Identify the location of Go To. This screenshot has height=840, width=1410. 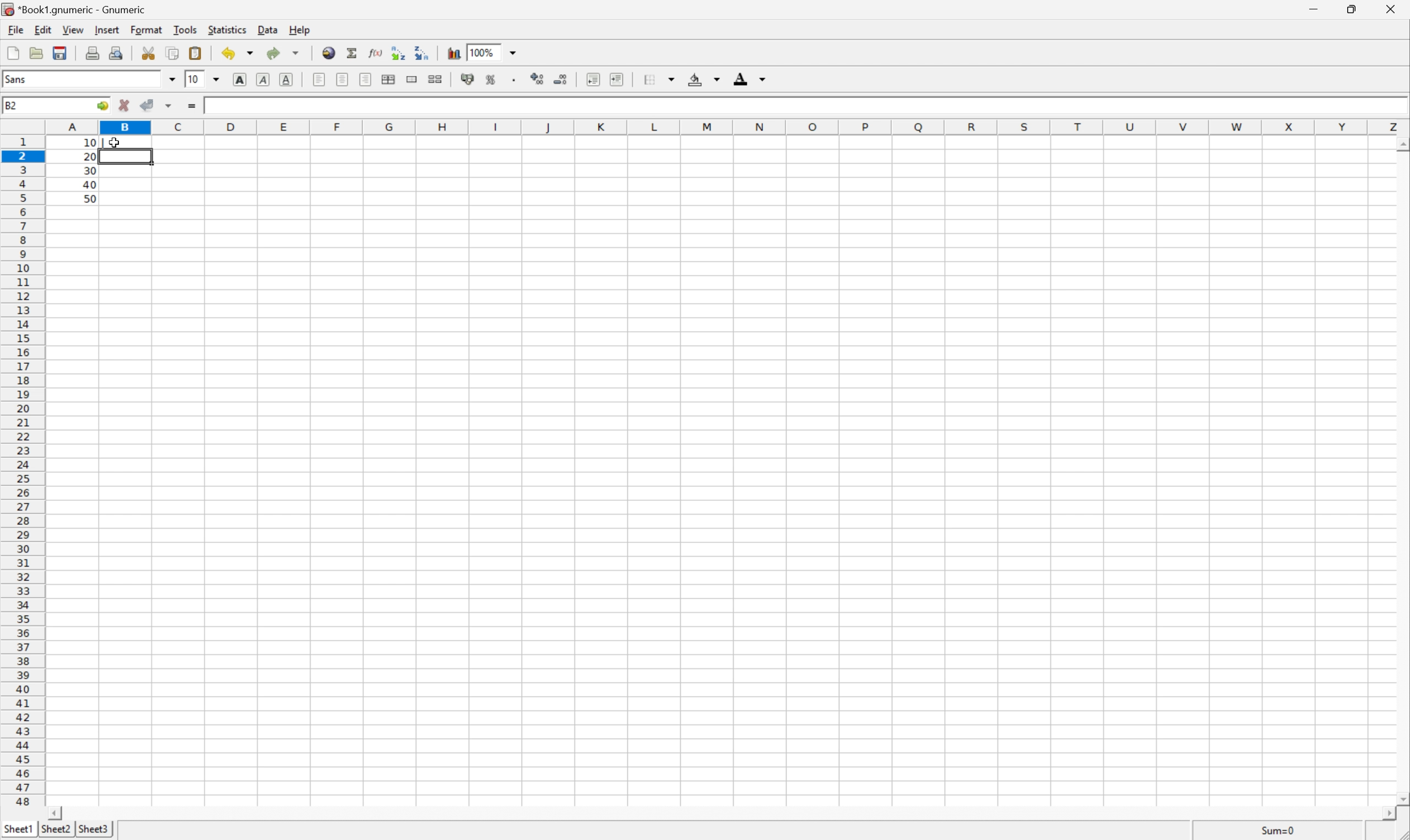
(101, 106).